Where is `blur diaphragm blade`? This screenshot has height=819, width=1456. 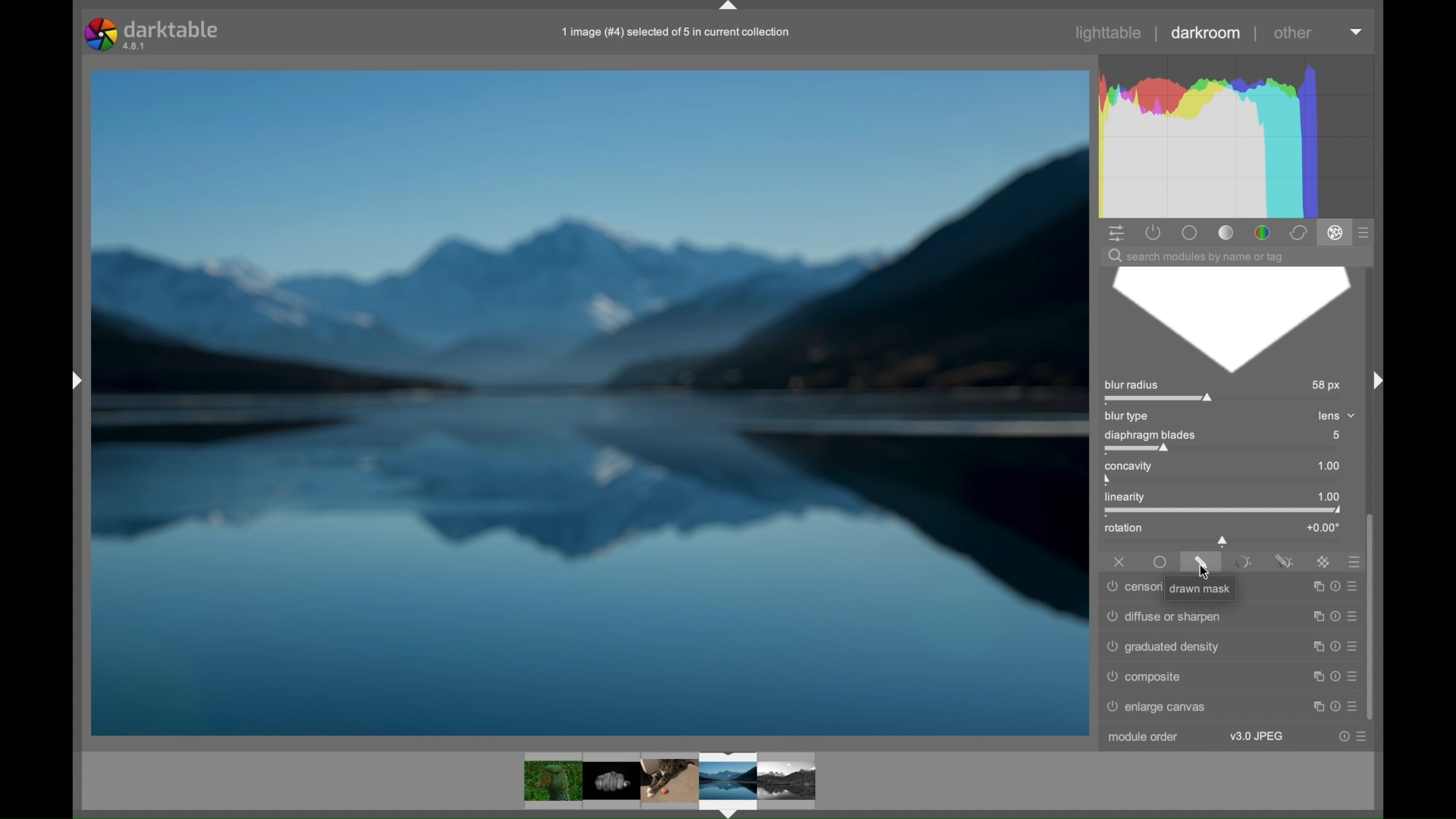
blur diaphragm blade is located at coordinates (1228, 321).